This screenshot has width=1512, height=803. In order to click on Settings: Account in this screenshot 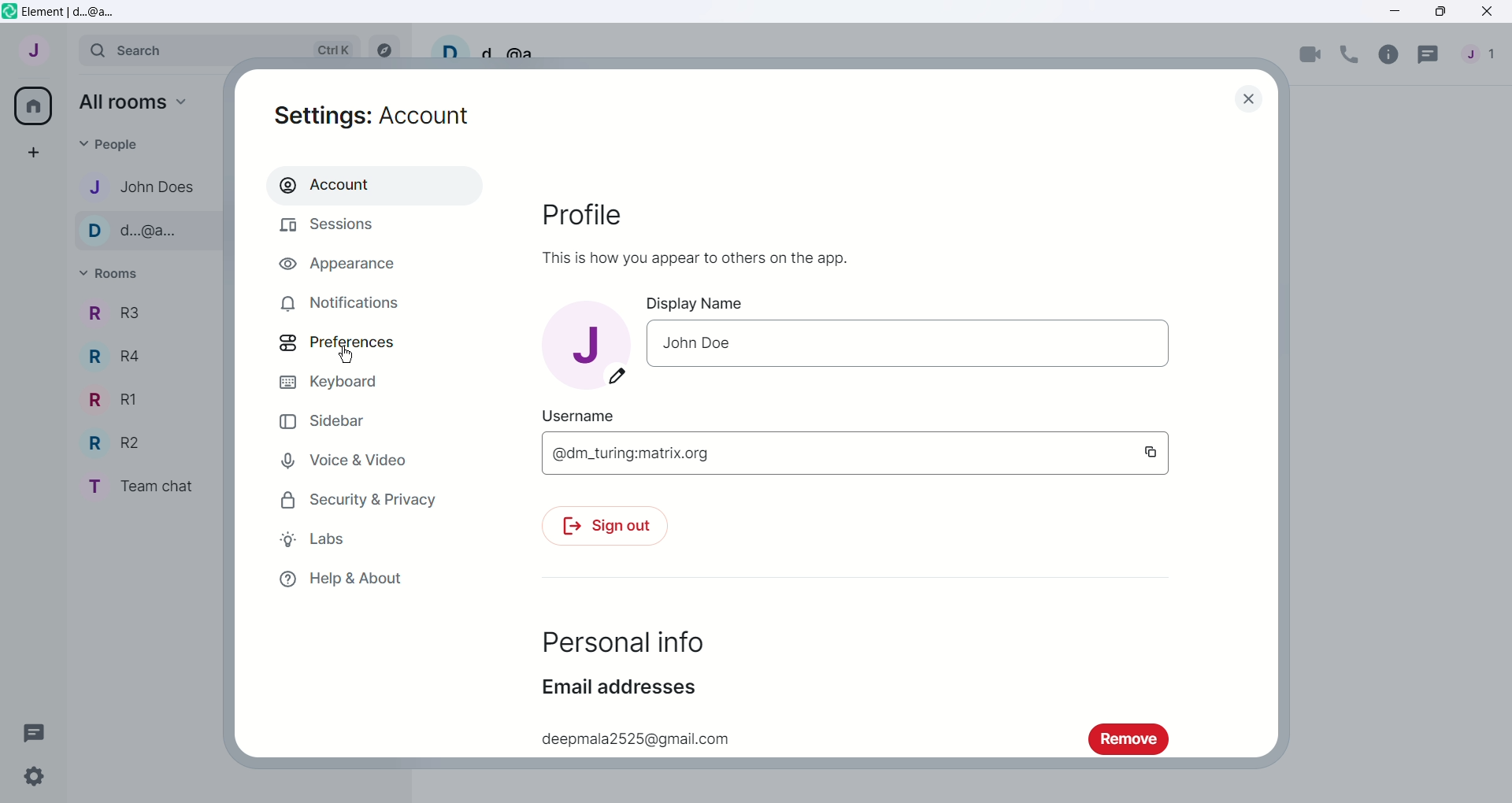, I will do `click(372, 117)`.